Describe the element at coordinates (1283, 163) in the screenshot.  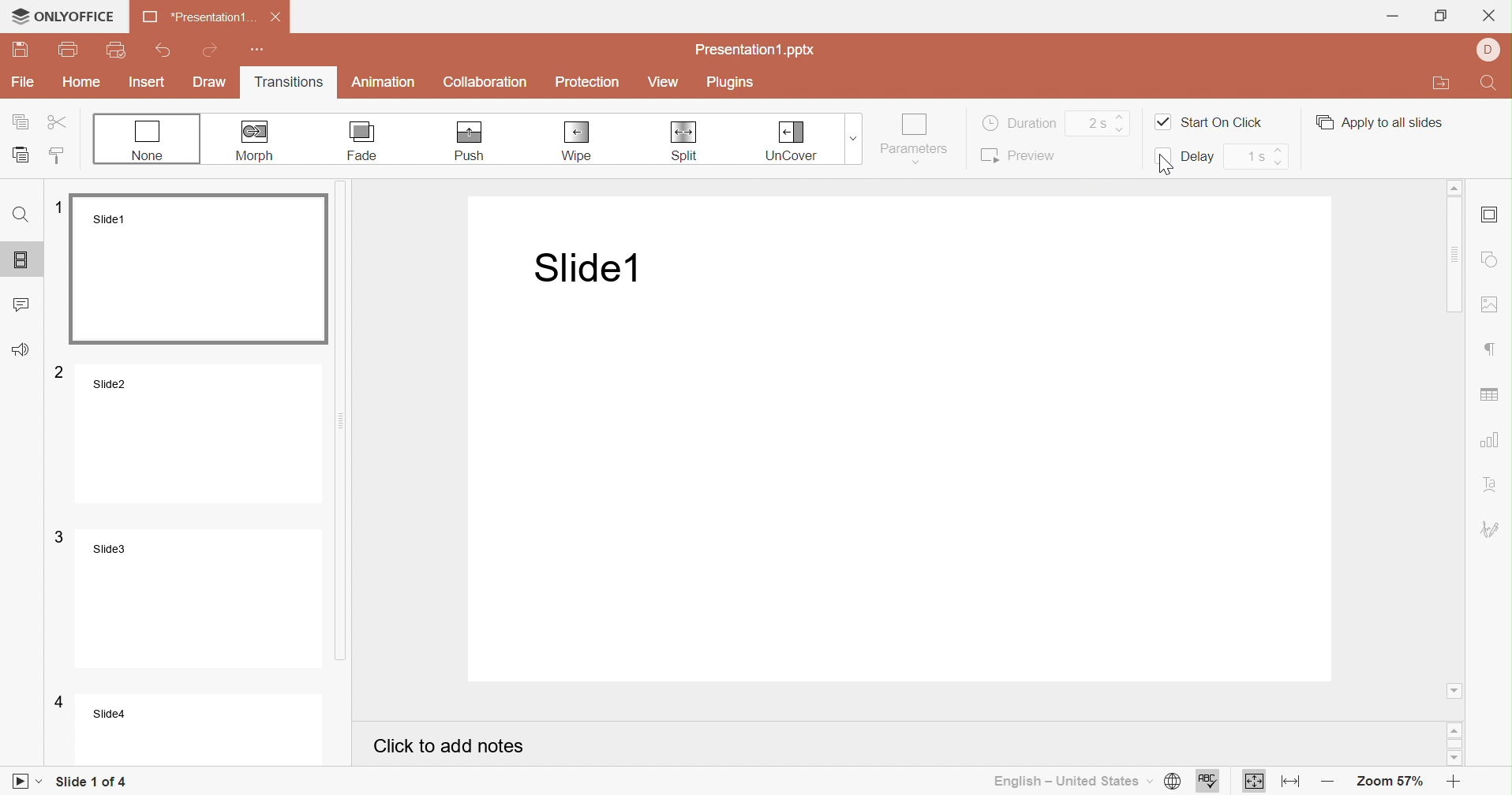
I see `Decrease delay` at that location.